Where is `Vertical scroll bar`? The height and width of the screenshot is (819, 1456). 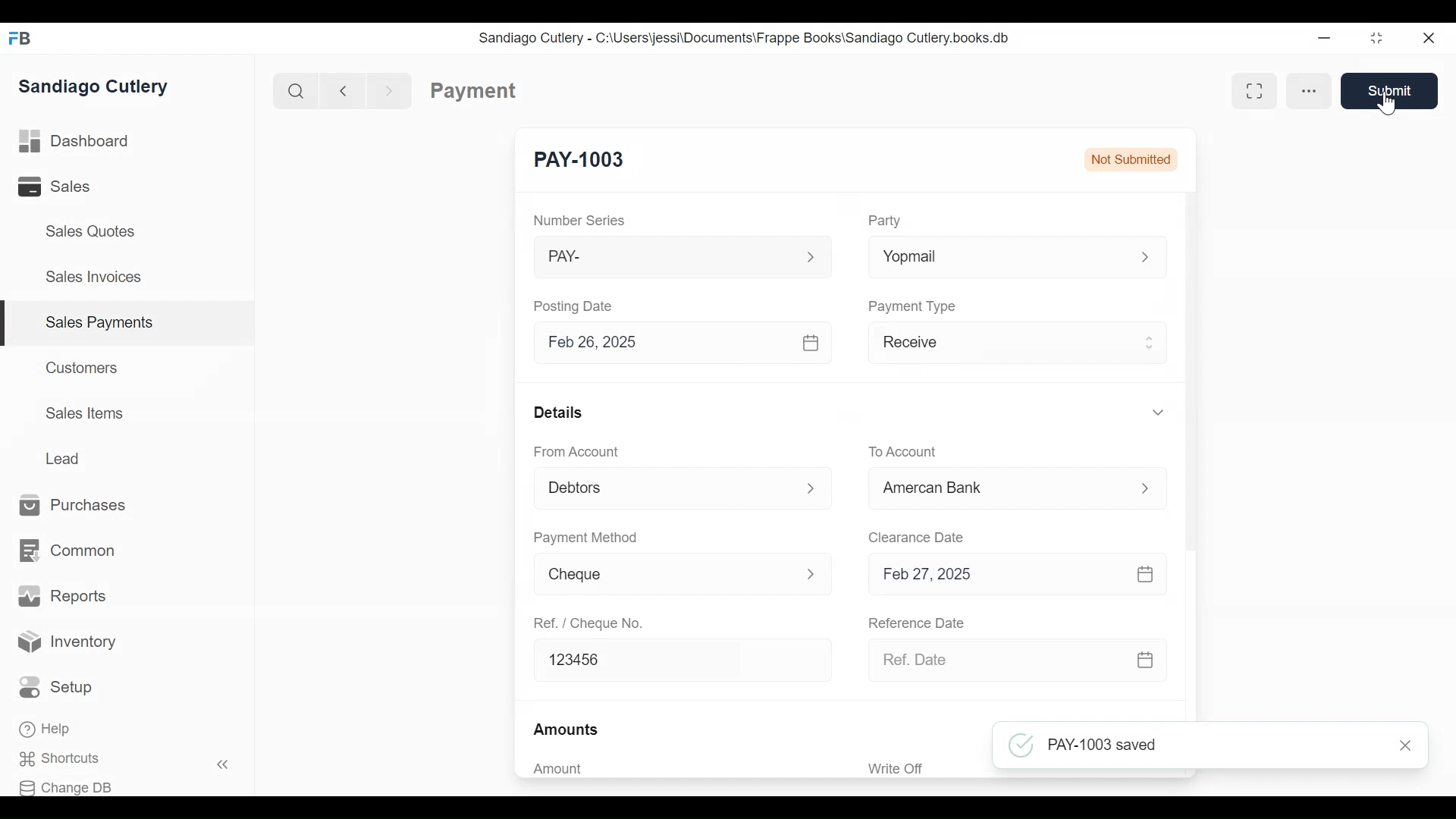
Vertical scroll bar is located at coordinates (1191, 372).